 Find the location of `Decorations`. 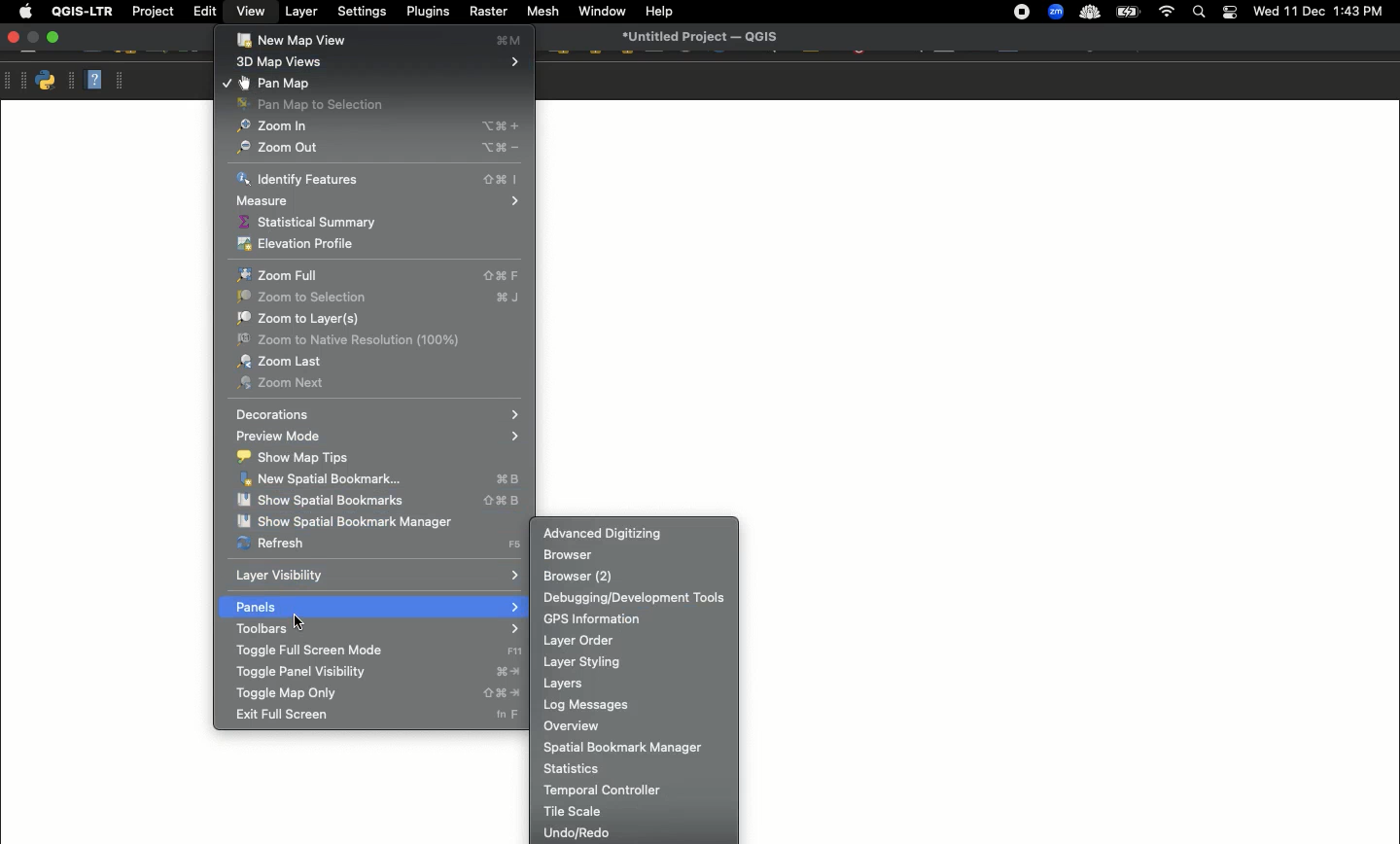

Decorations is located at coordinates (374, 415).